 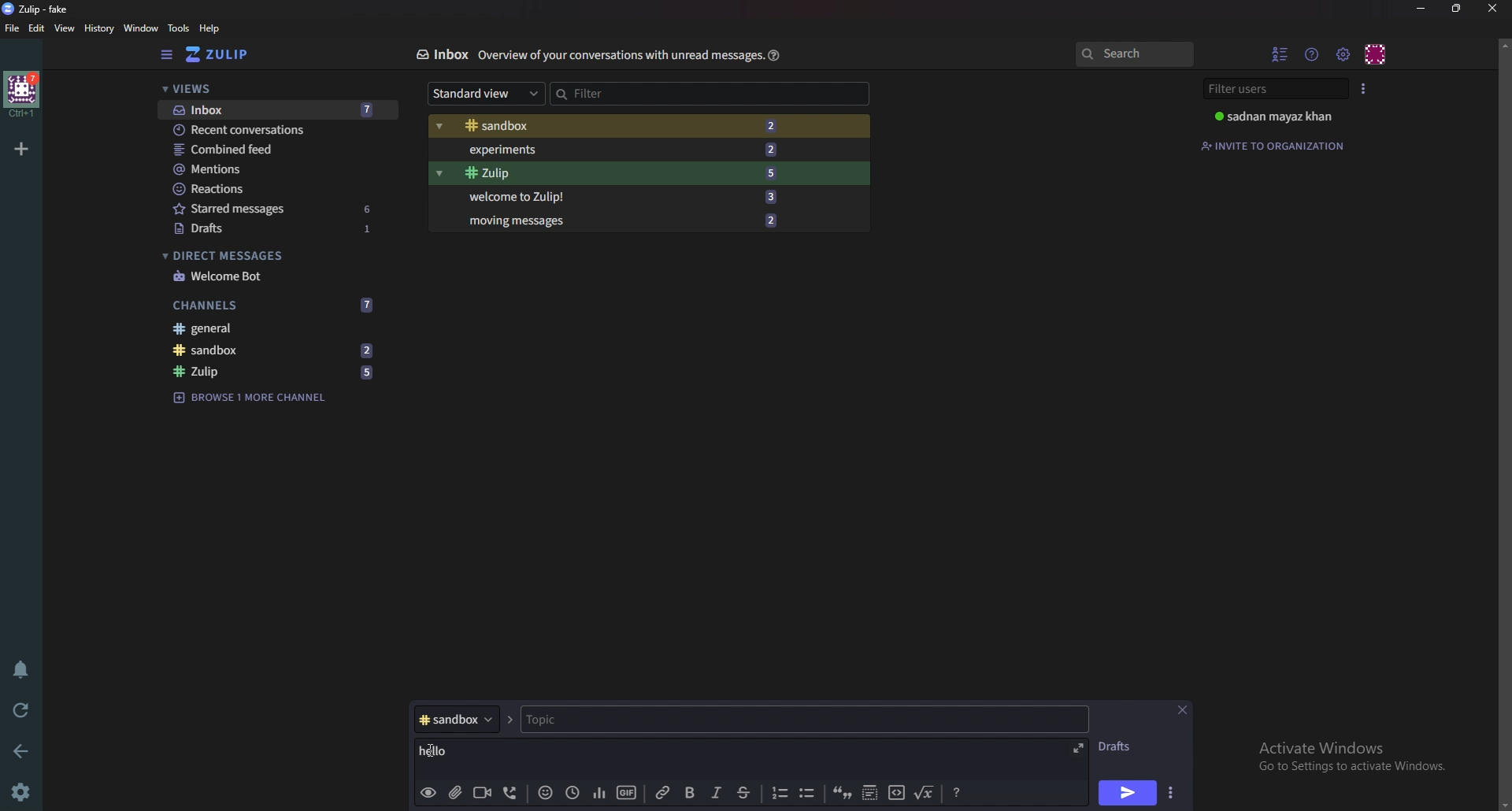 What do you see at coordinates (1280, 52) in the screenshot?
I see `Hide user list` at bounding box center [1280, 52].